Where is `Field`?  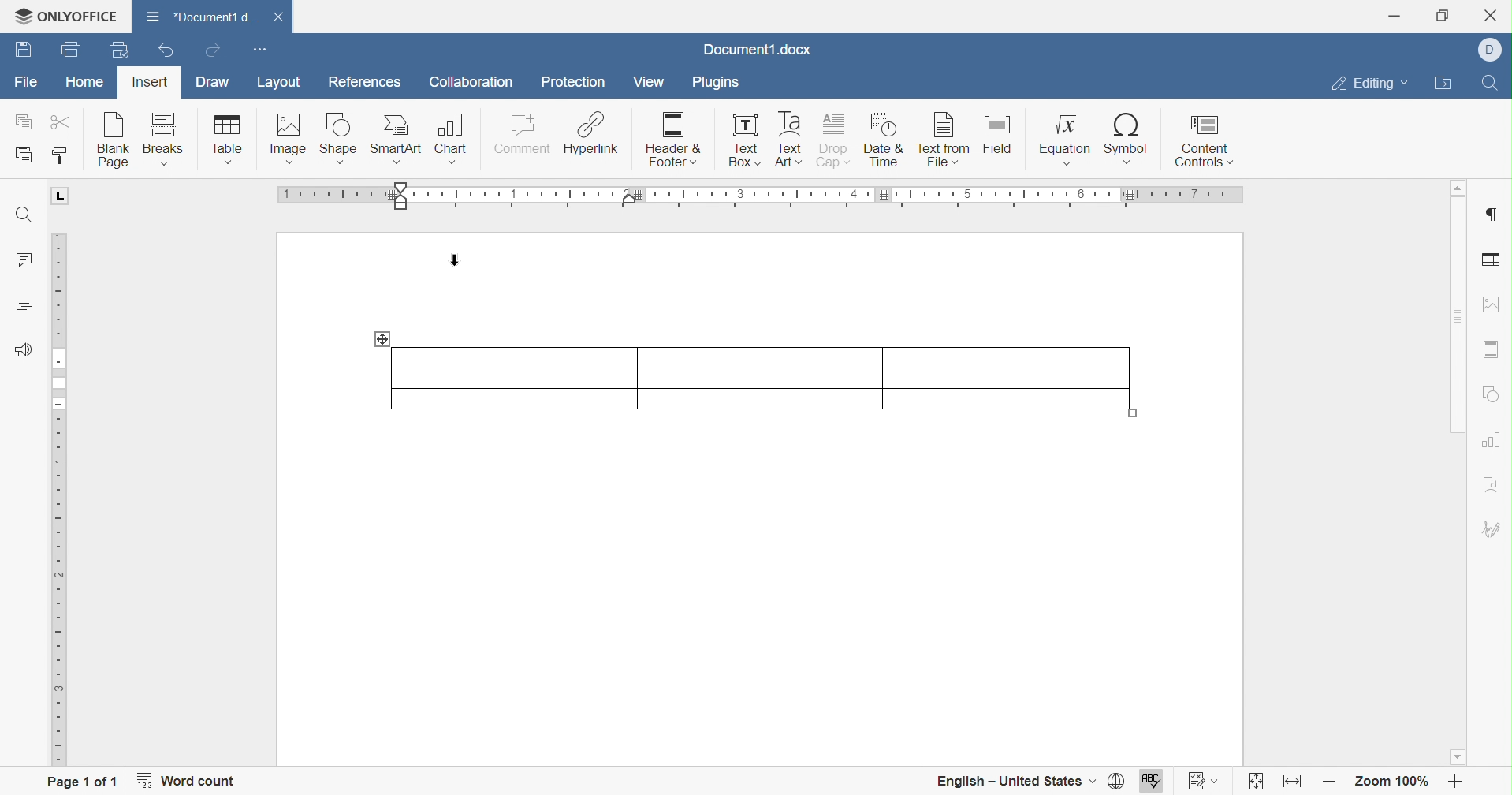 Field is located at coordinates (1002, 136).